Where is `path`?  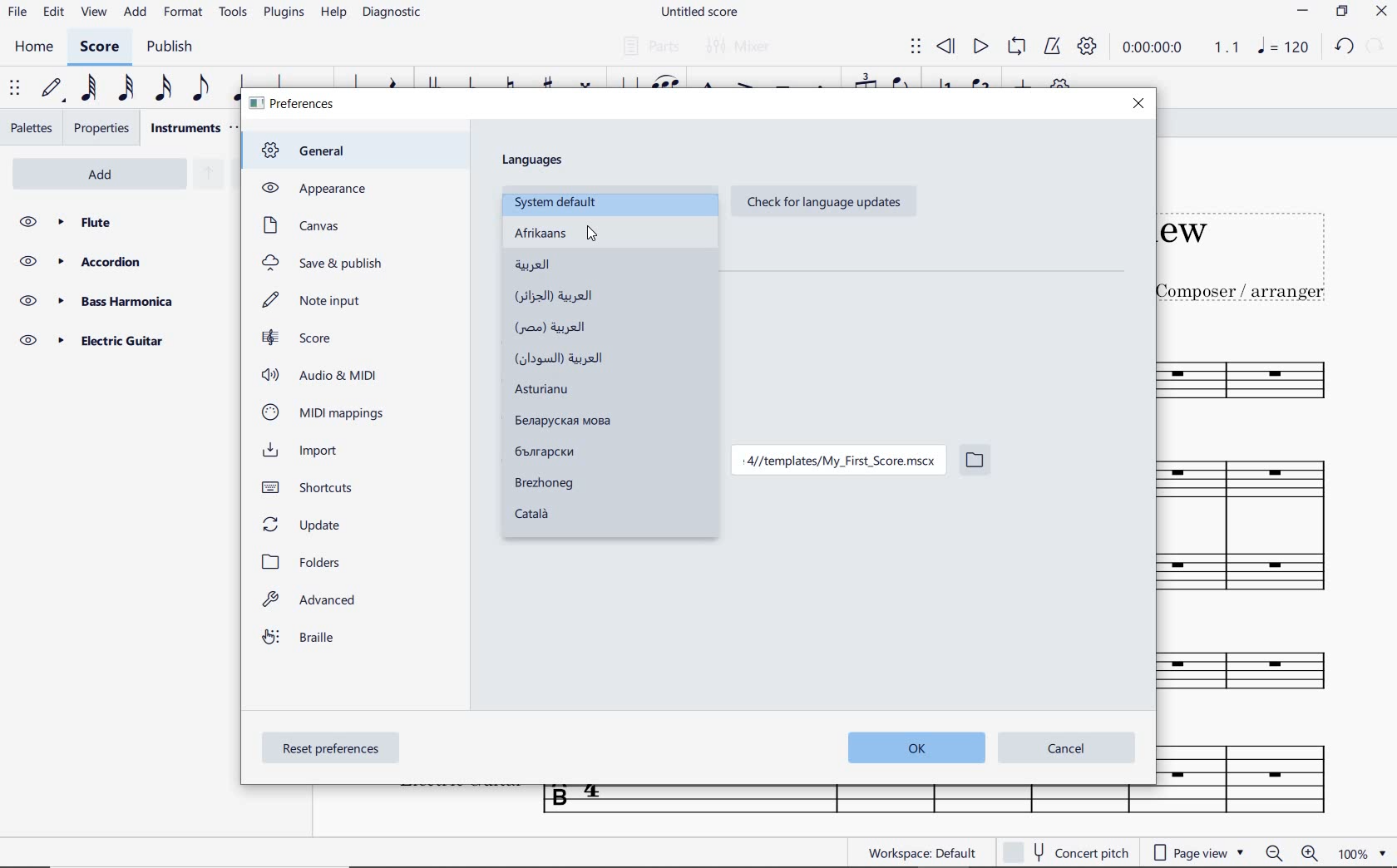
path is located at coordinates (836, 462).